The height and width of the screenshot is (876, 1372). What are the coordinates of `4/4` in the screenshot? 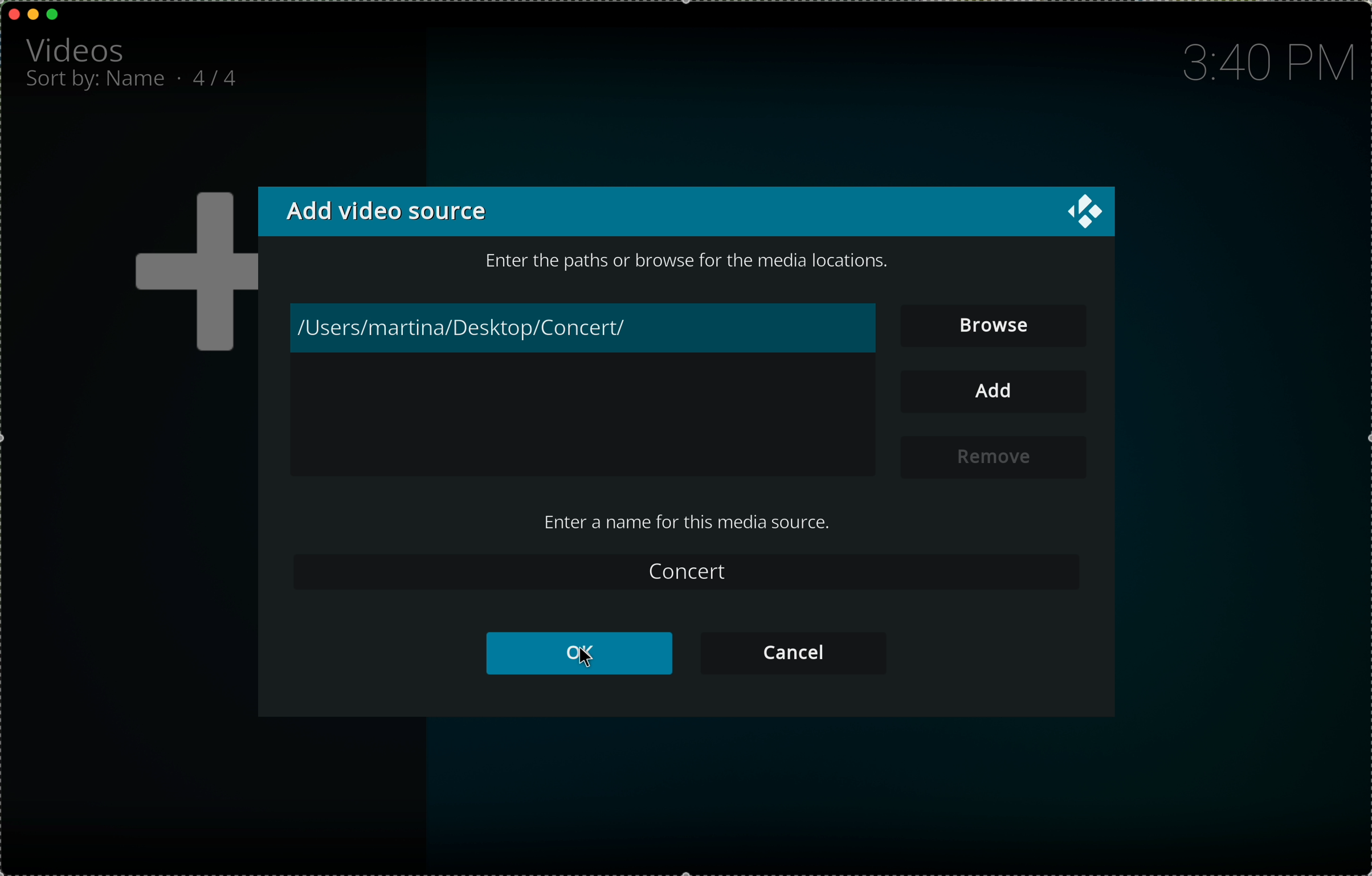 It's located at (220, 76).